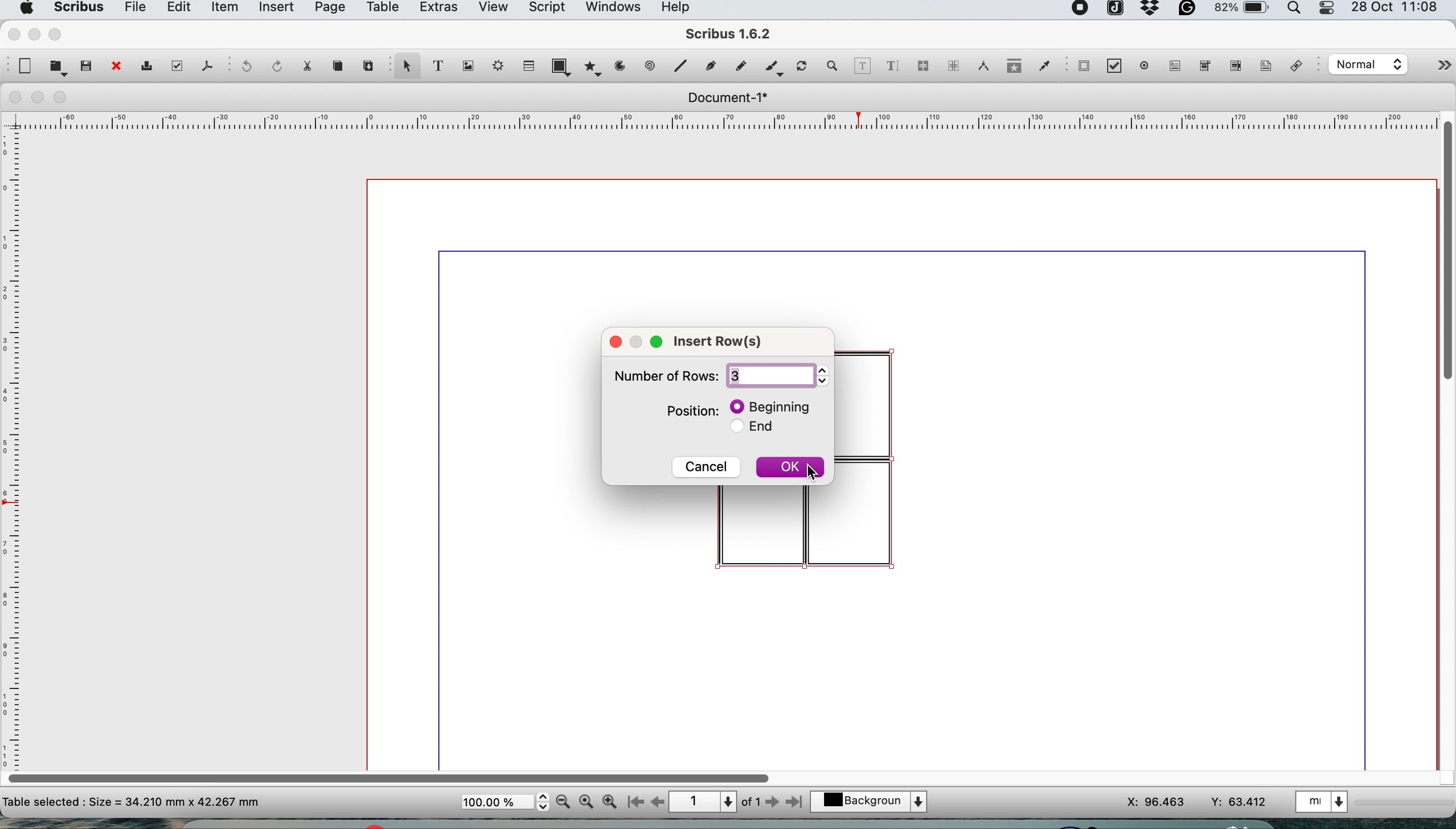 The image size is (1456, 829). I want to click on battery, so click(1240, 11).